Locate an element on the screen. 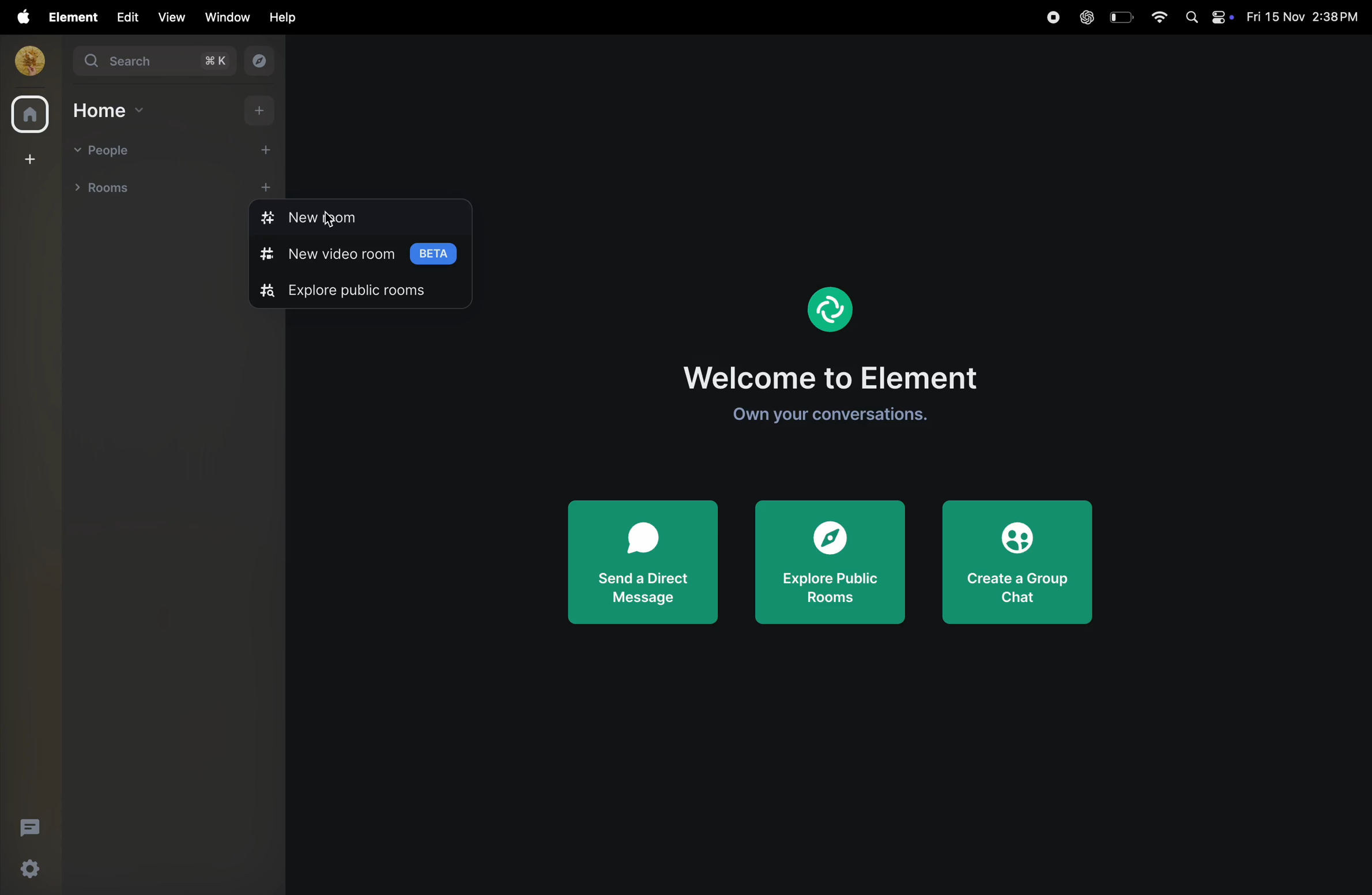  profile is located at coordinates (26, 60).